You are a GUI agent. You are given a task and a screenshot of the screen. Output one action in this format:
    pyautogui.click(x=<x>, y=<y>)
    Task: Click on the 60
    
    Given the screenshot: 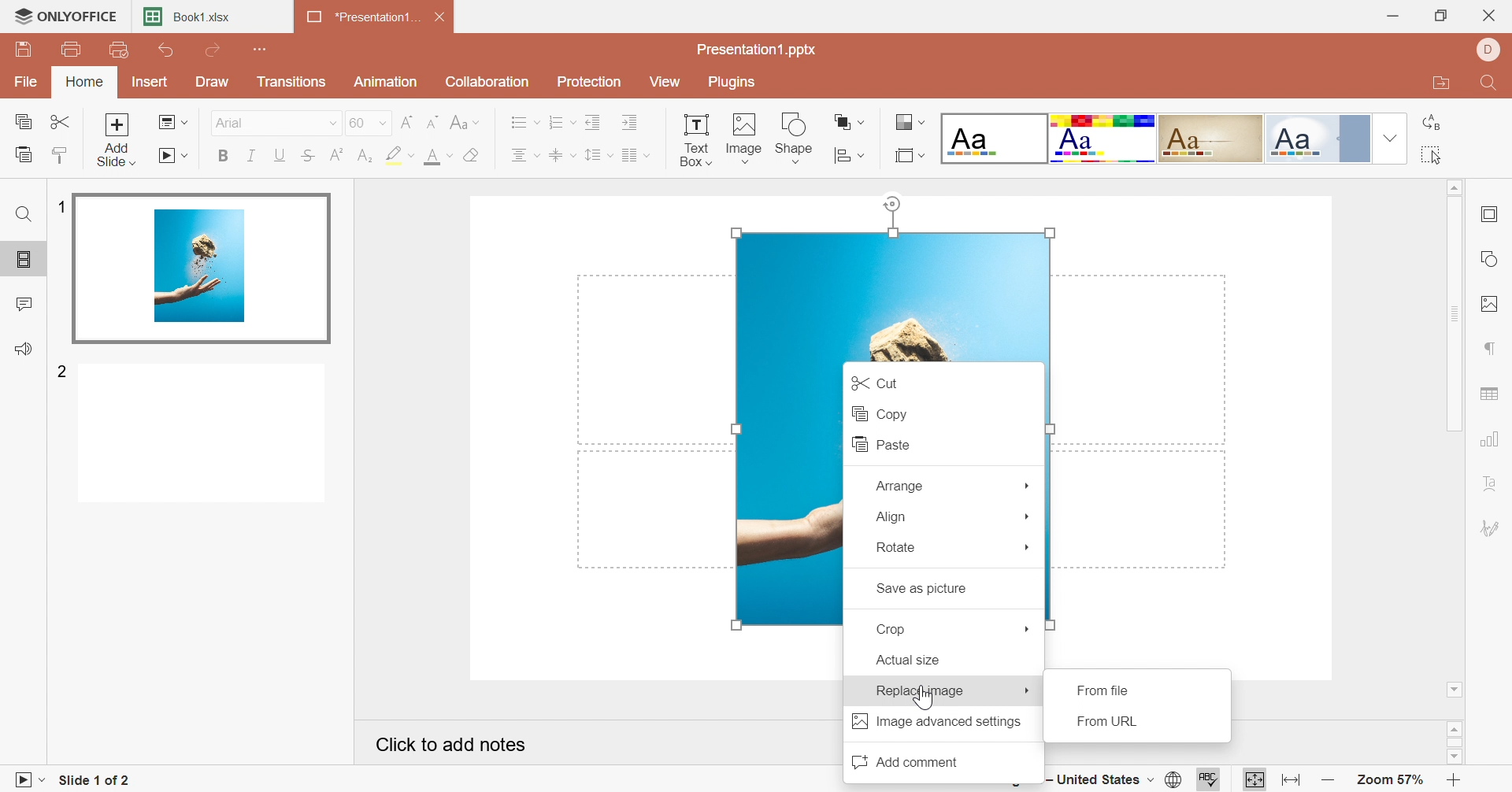 What is the action you would take?
    pyautogui.click(x=368, y=121)
    